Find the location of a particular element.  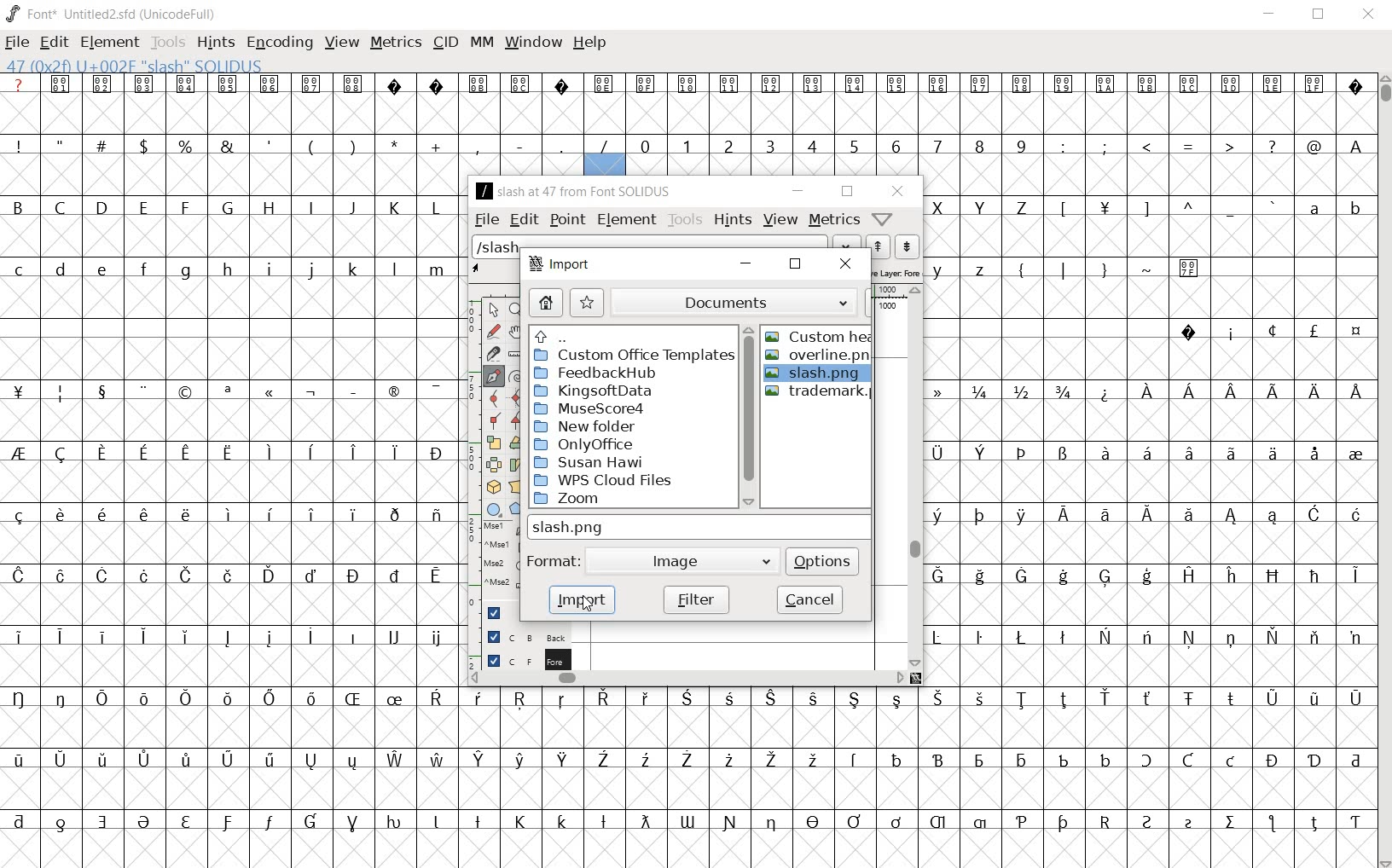

symbols is located at coordinates (1163, 208).